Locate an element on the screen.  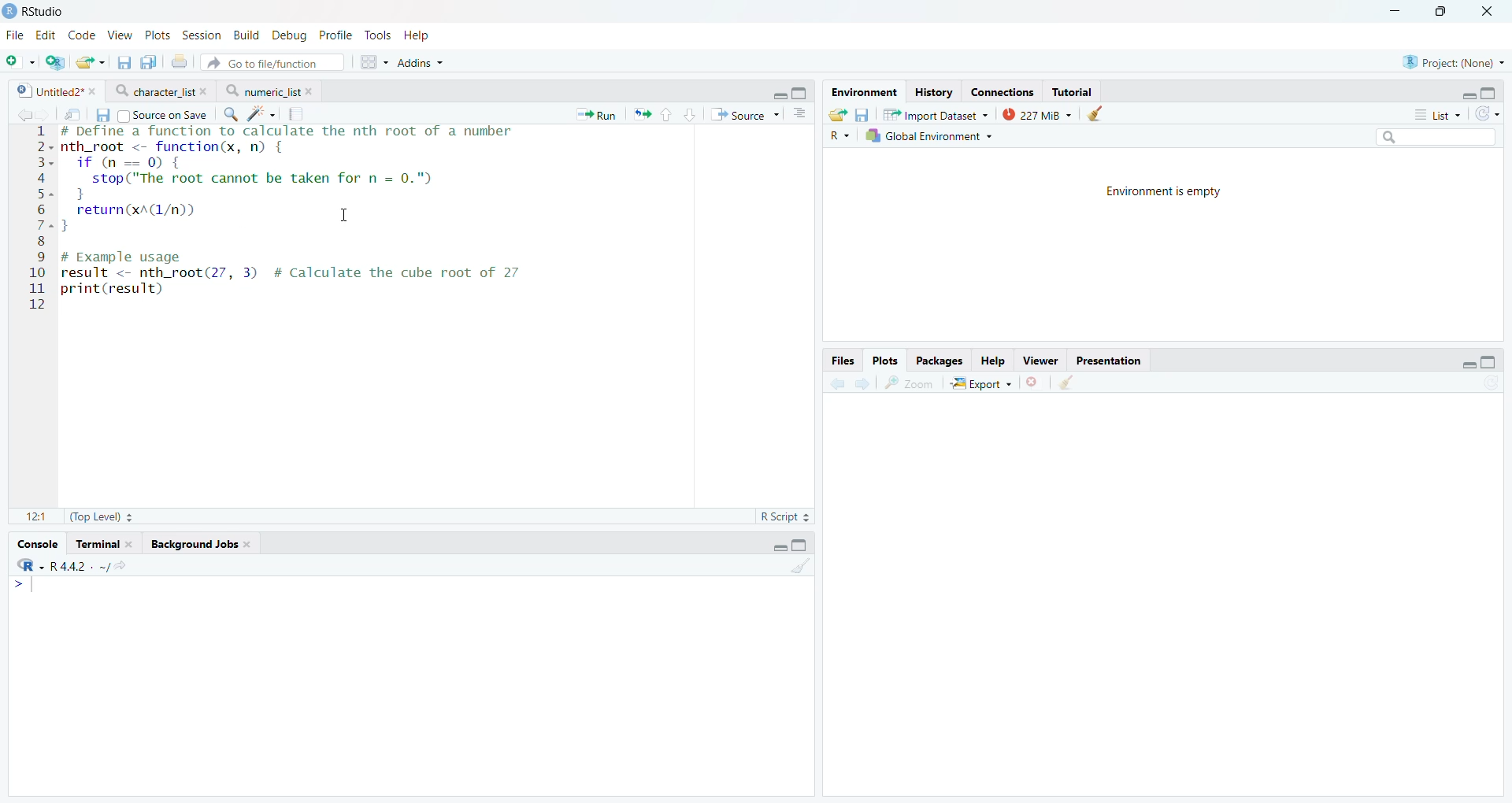
Debug is located at coordinates (289, 35).